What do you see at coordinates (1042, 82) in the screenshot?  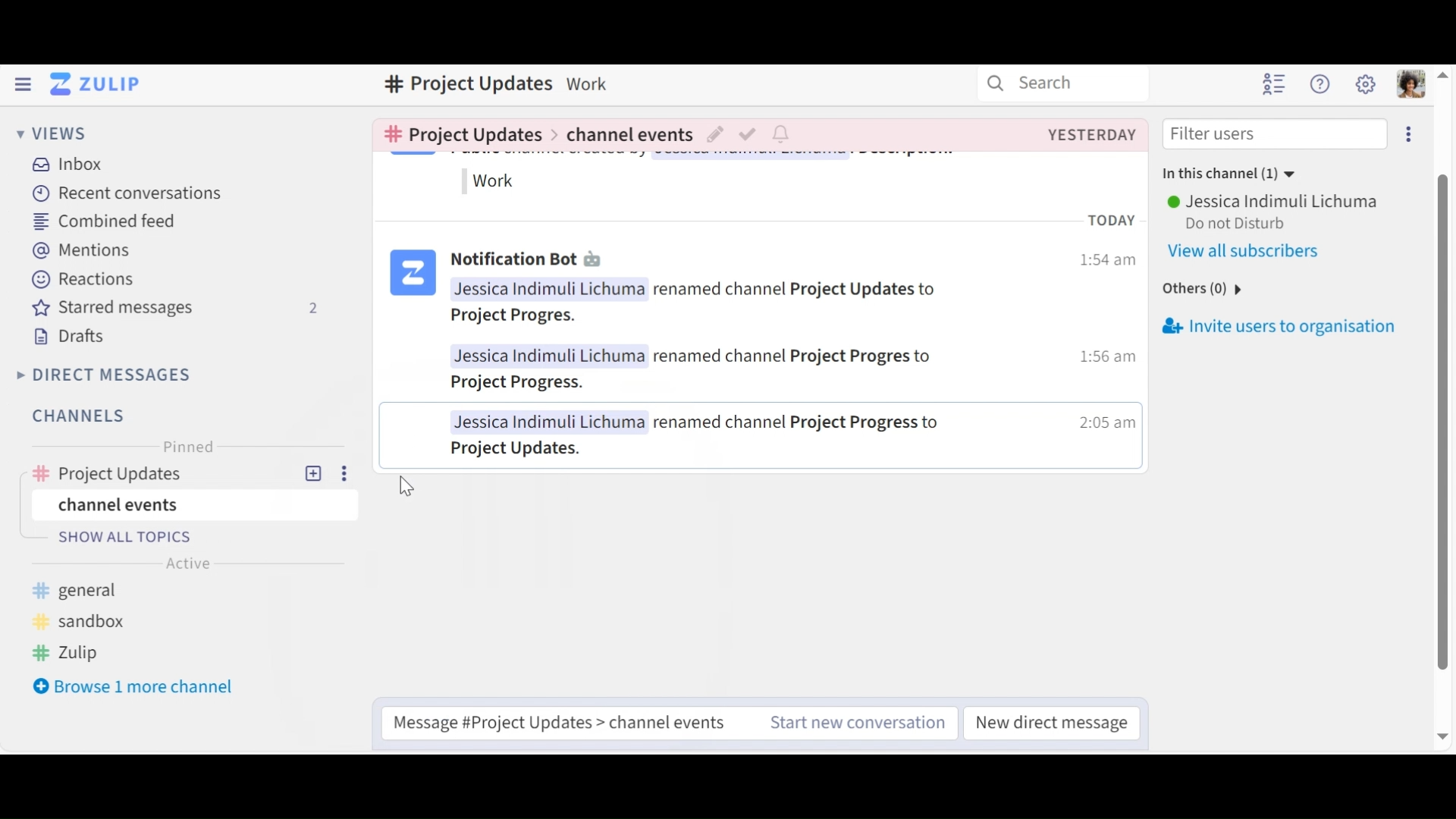 I see `Search` at bounding box center [1042, 82].